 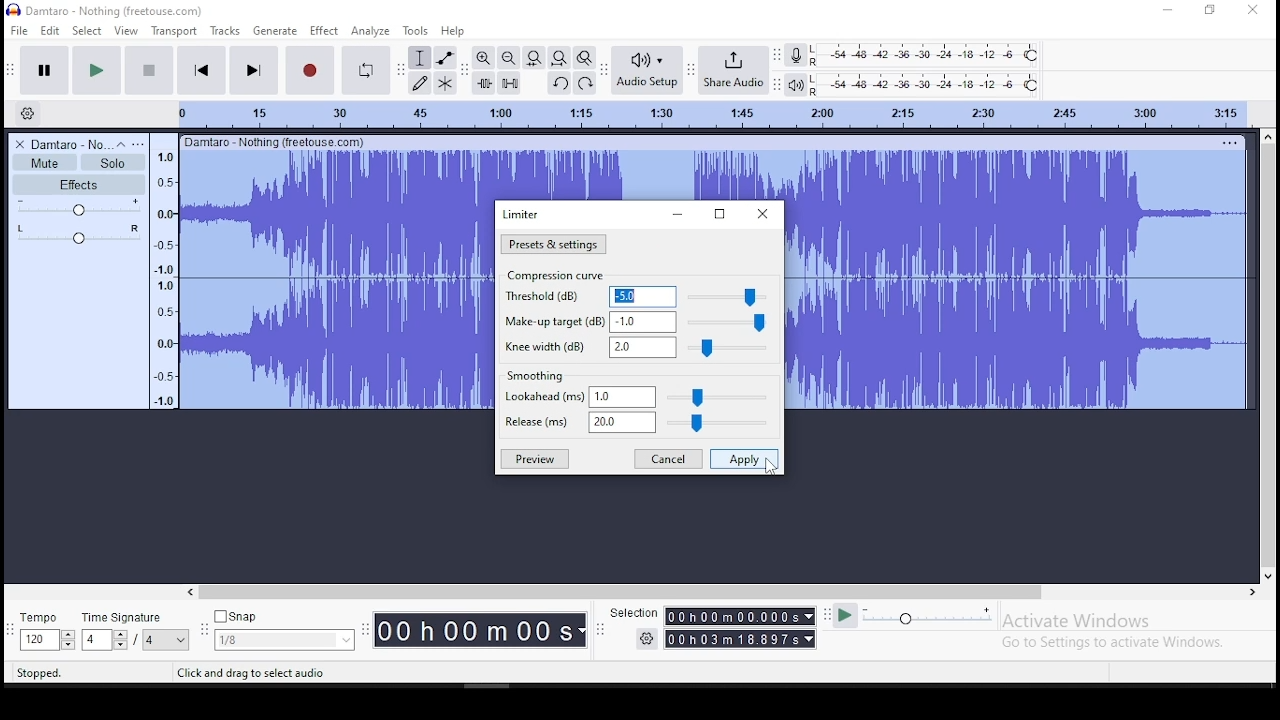 I want to click on threshold, so click(x=637, y=296).